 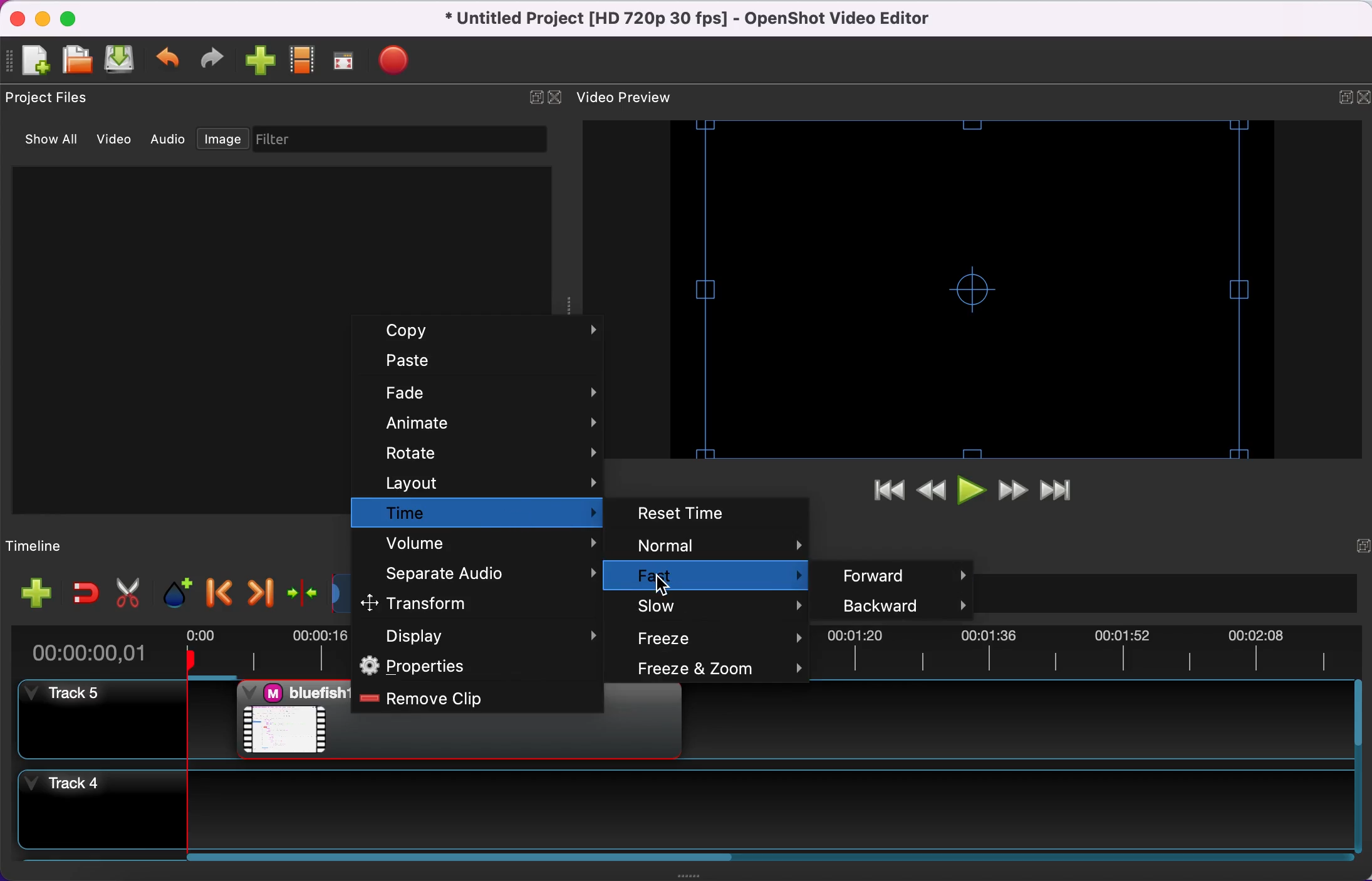 I want to click on add file, so click(x=33, y=61).